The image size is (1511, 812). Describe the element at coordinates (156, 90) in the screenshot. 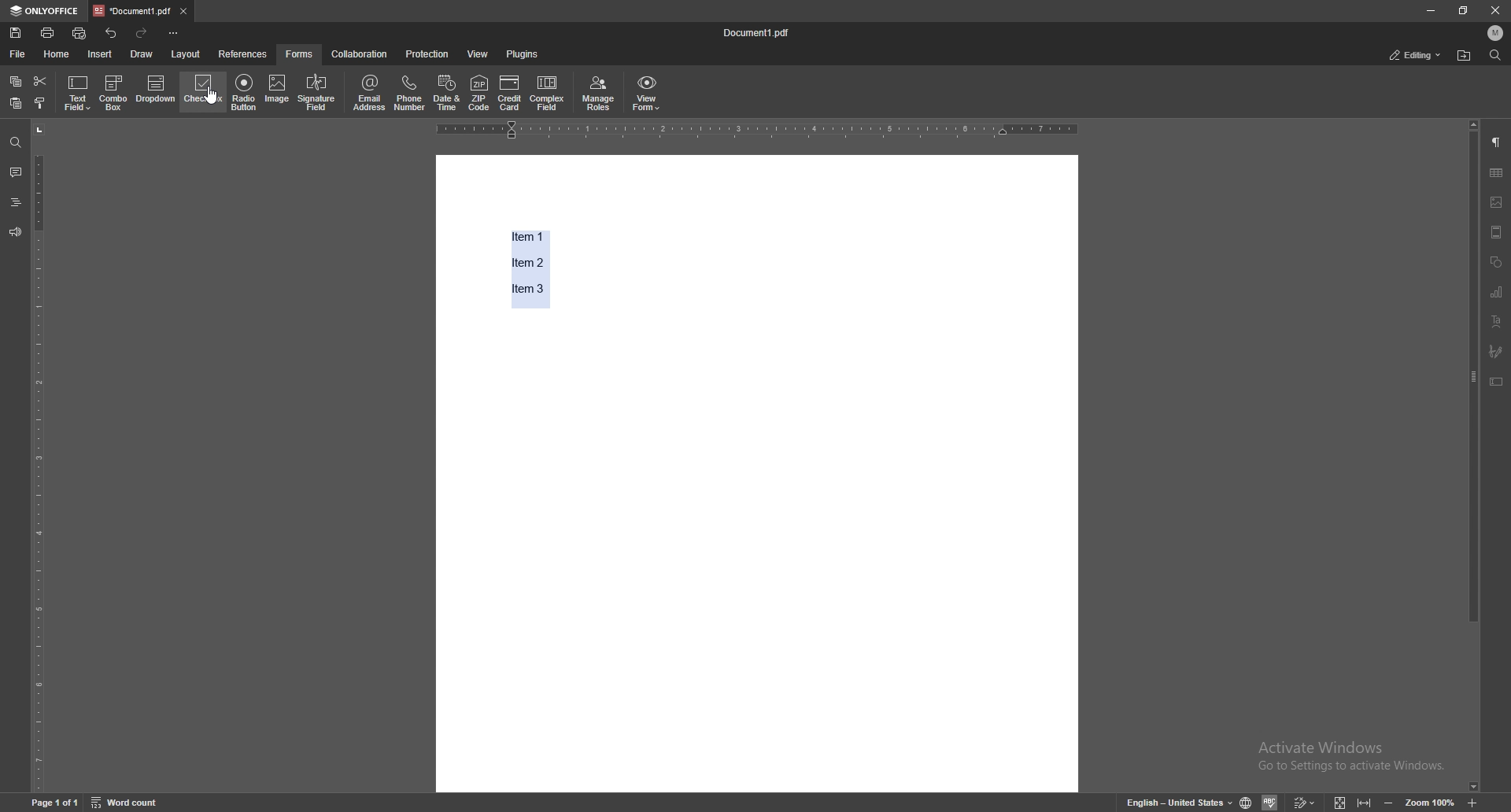

I see `dropdown` at that location.